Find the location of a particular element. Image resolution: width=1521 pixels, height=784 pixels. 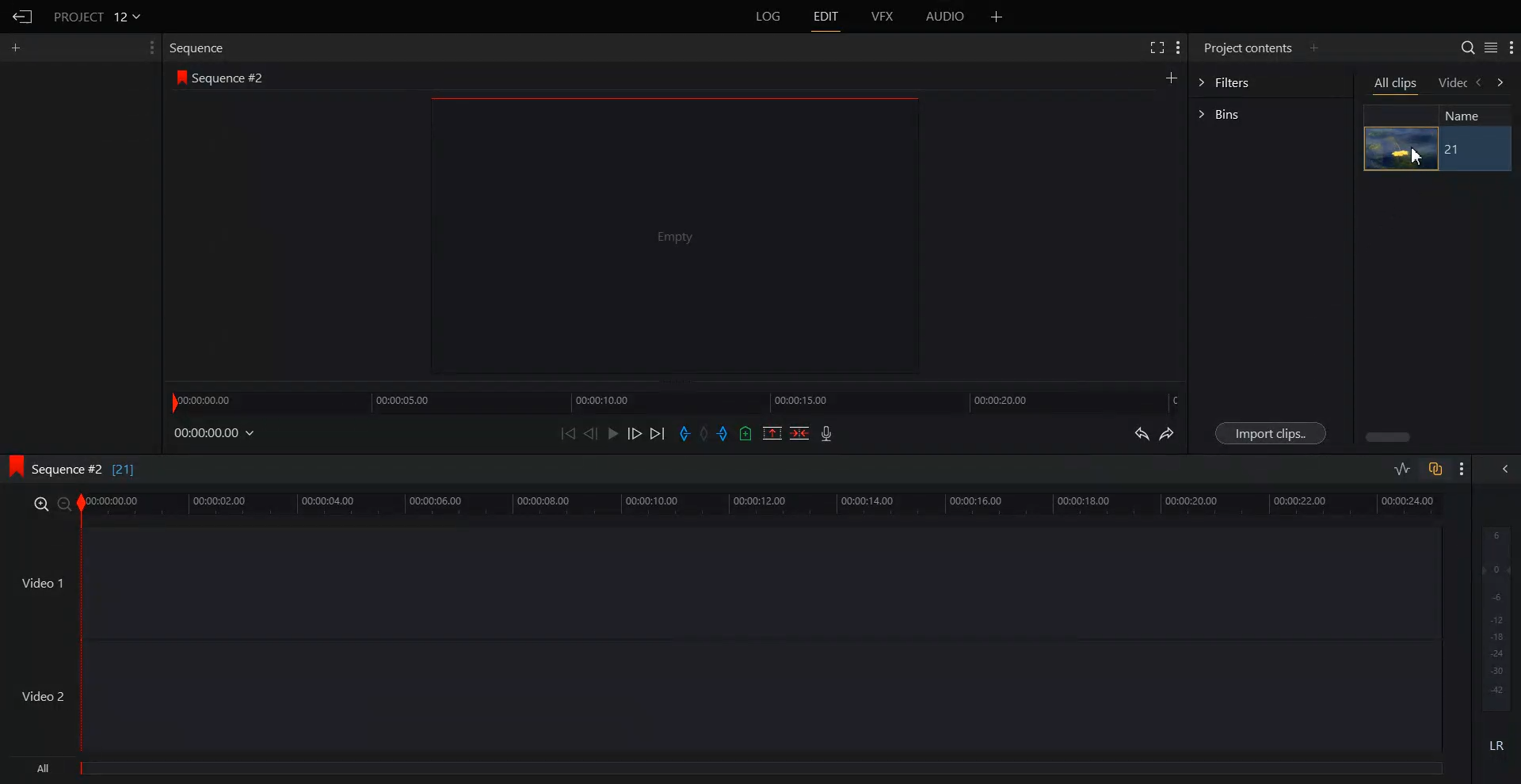

Move Backward is located at coordinates (568, 432).